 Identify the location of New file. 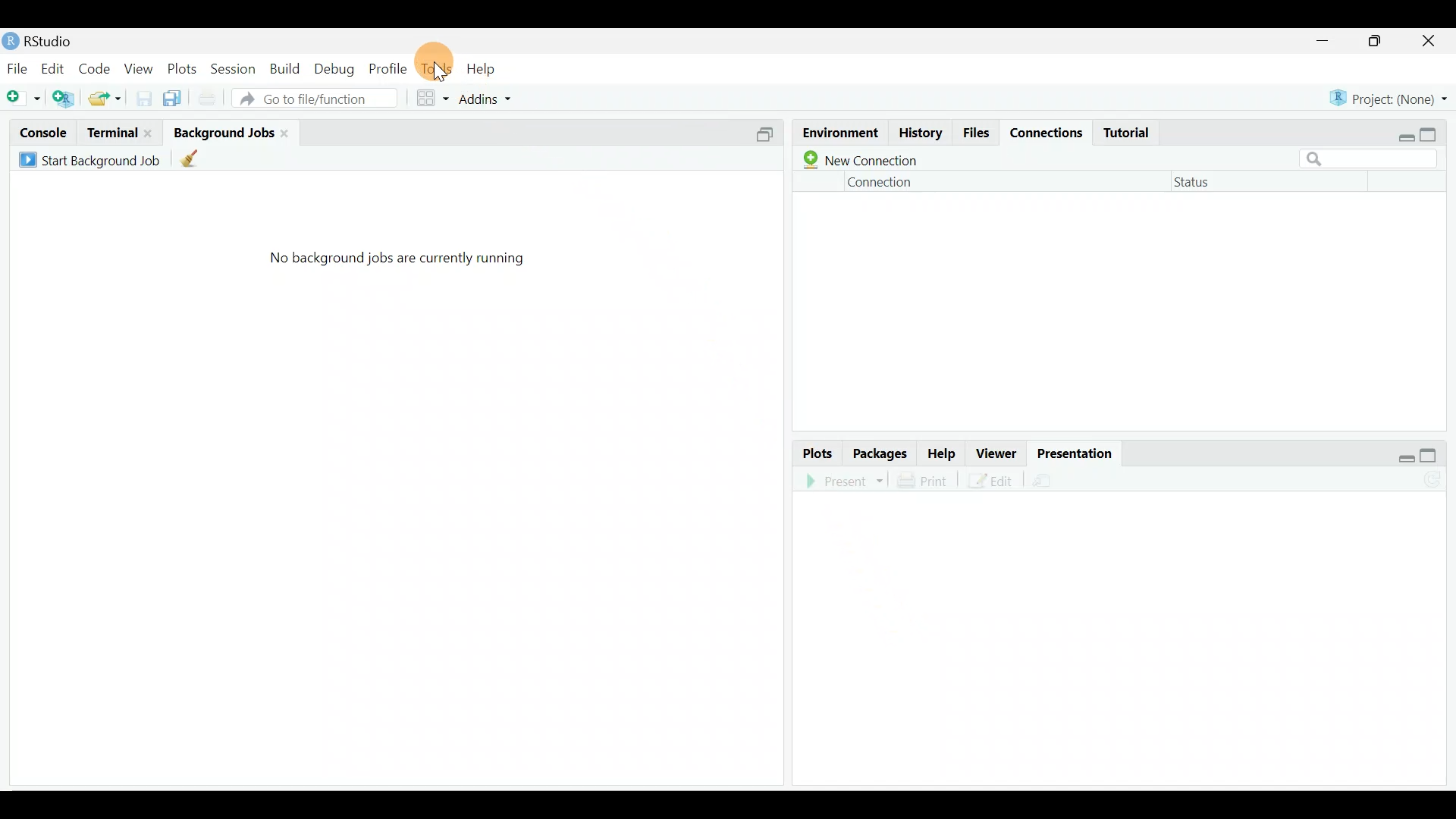
(24, 99).